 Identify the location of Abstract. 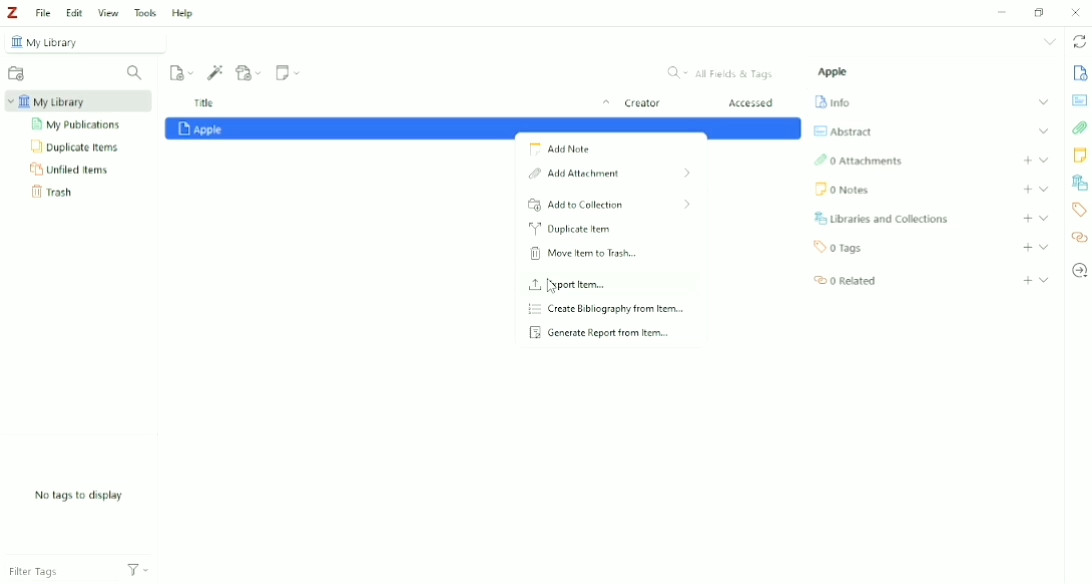
(843, 131).